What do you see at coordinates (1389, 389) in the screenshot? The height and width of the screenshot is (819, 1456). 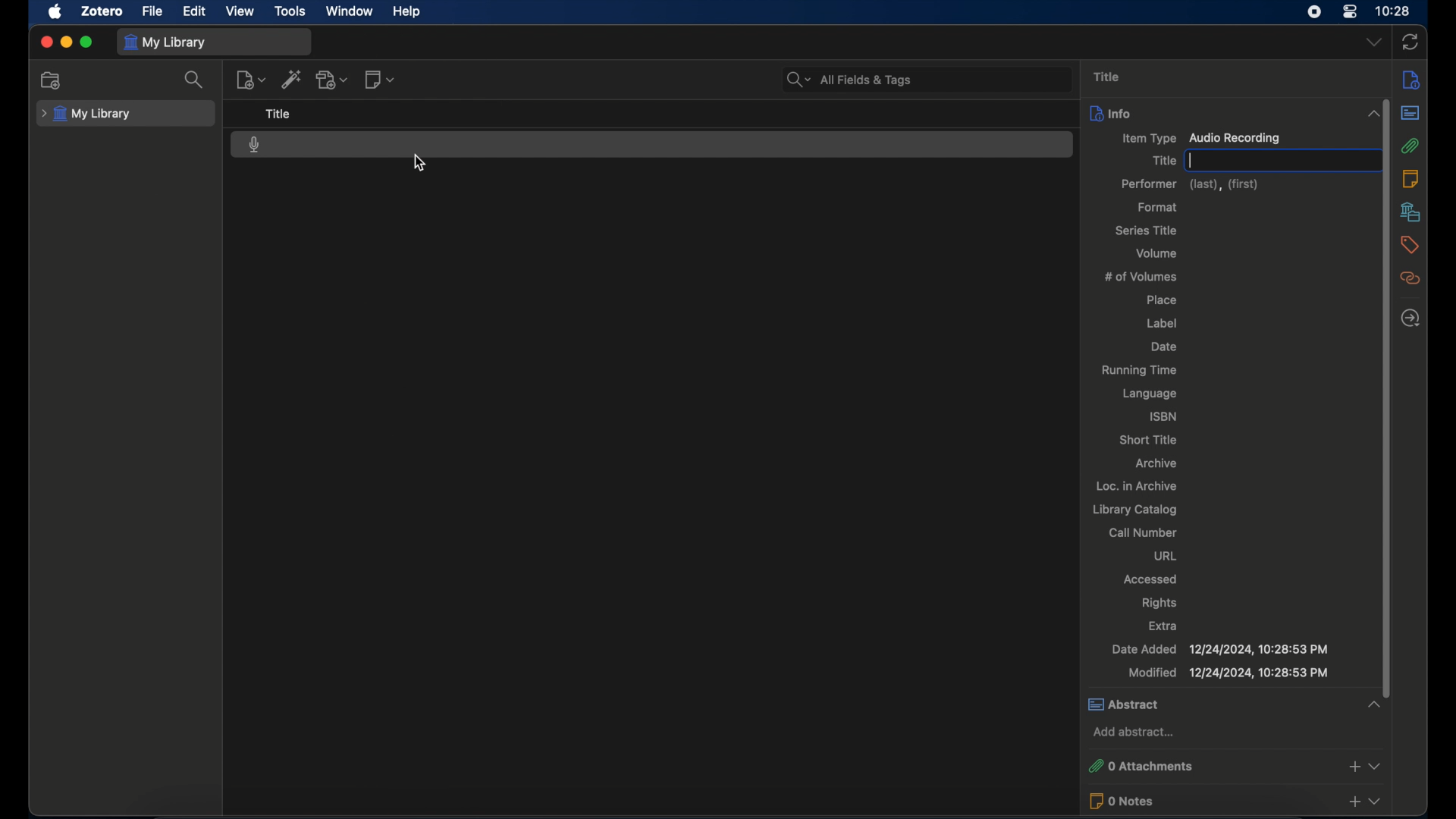 I see `scroll box` at bounding box center [1389, 389].